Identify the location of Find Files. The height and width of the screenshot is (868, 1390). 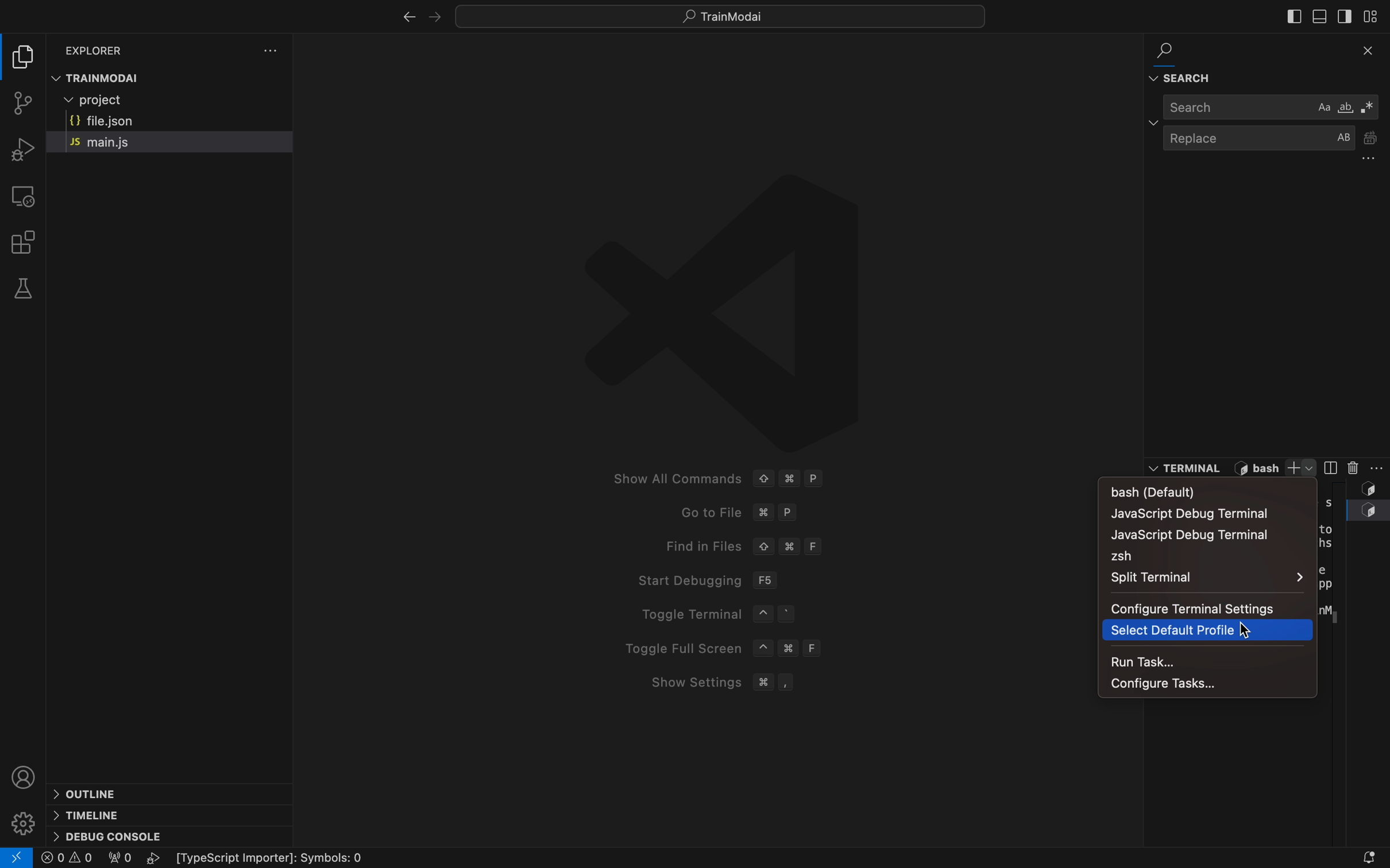
(805, 545).